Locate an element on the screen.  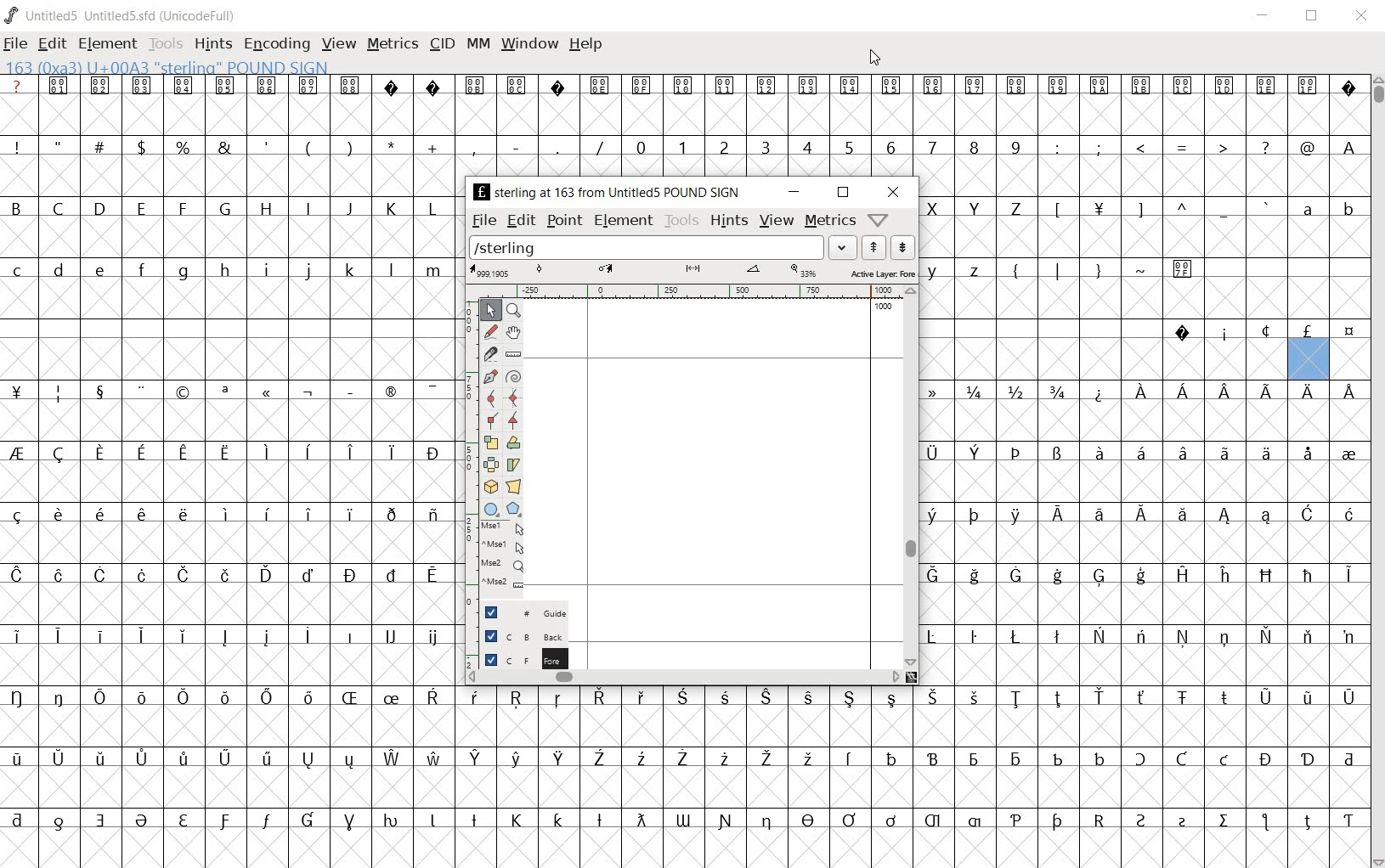
Symbol is located at coordinates (974, 576).